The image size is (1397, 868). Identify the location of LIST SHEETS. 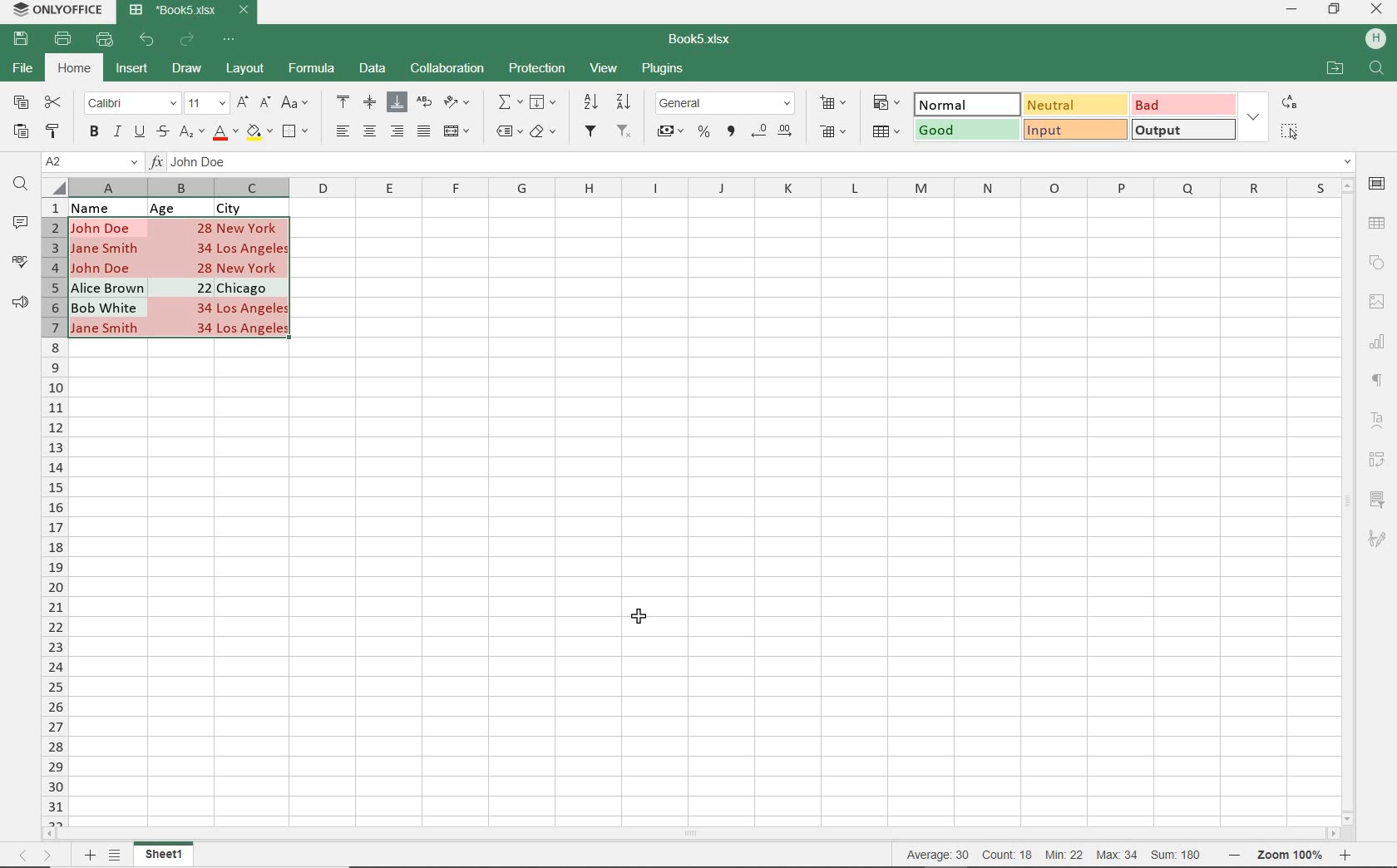
(118, 856).